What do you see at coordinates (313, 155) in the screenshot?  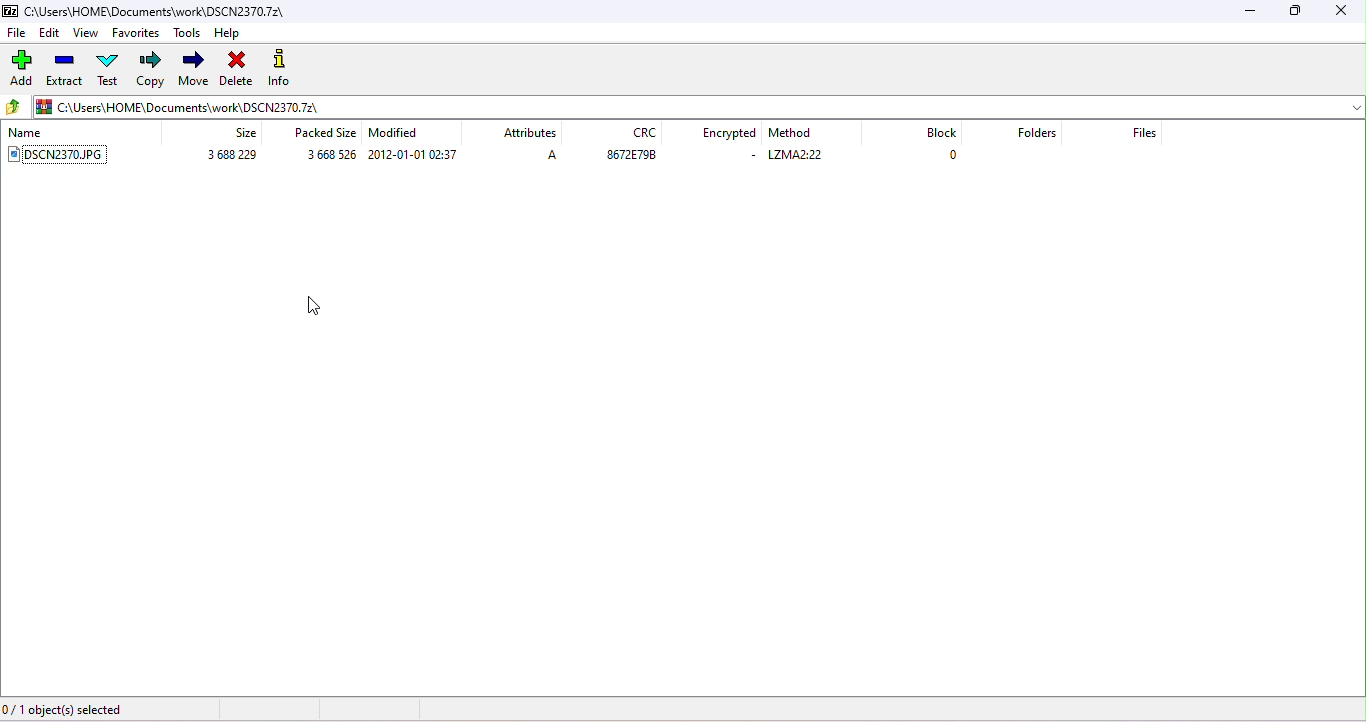 I see `size` at bounding box center [313, 155].